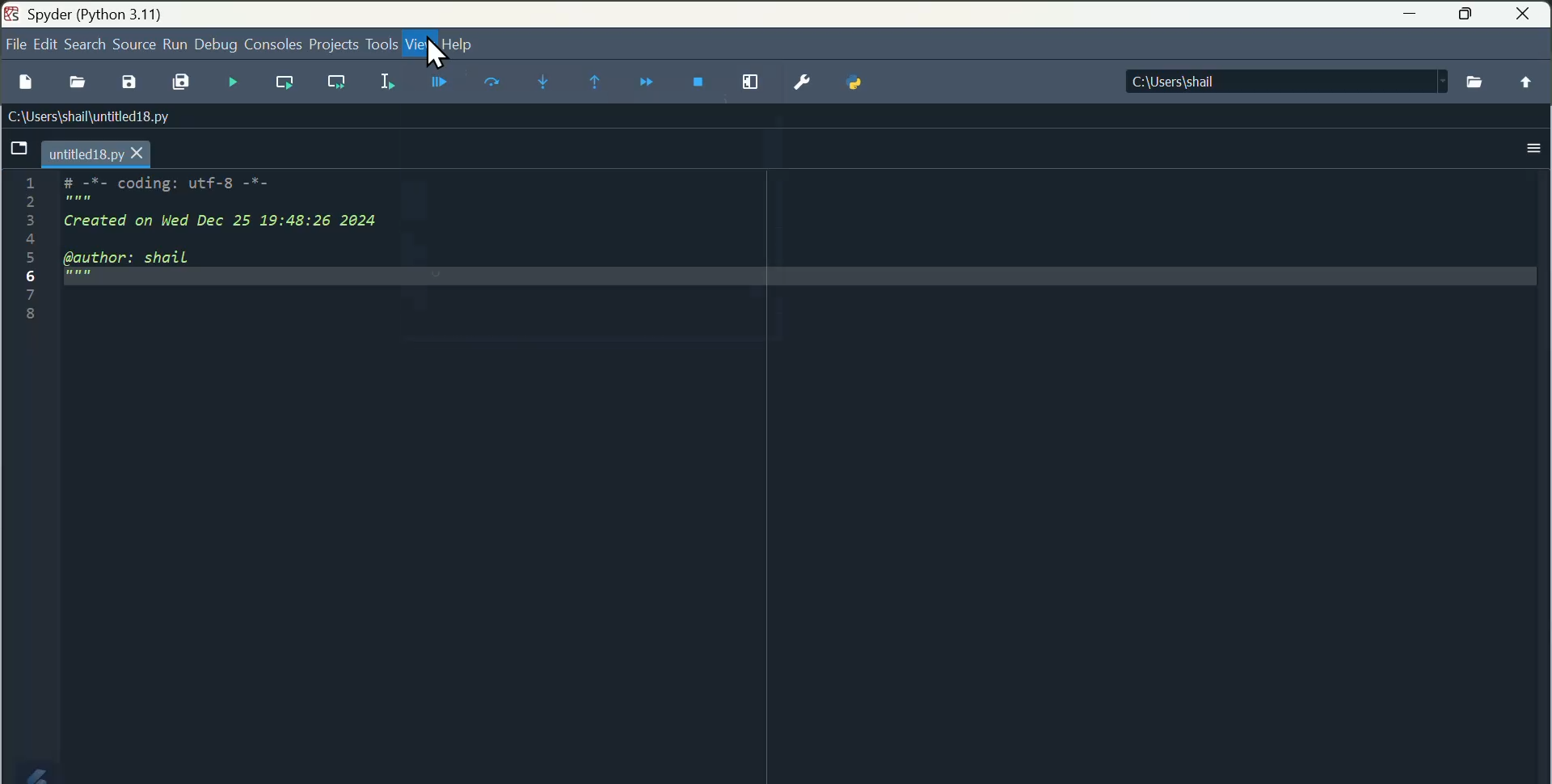 The width and height of the screenshot is (1552, 784). I want to click on Python path manager, so click(850, 86).